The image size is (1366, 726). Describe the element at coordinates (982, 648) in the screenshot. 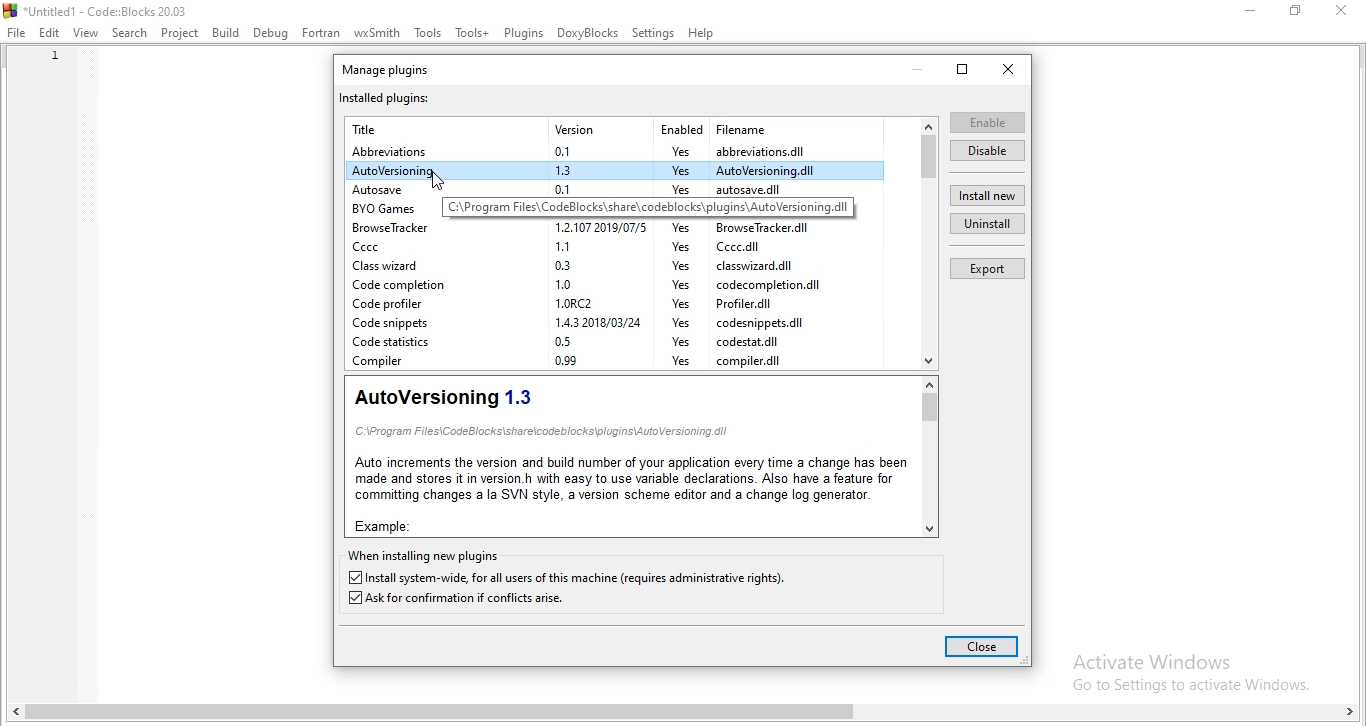

I see `close` at that location.